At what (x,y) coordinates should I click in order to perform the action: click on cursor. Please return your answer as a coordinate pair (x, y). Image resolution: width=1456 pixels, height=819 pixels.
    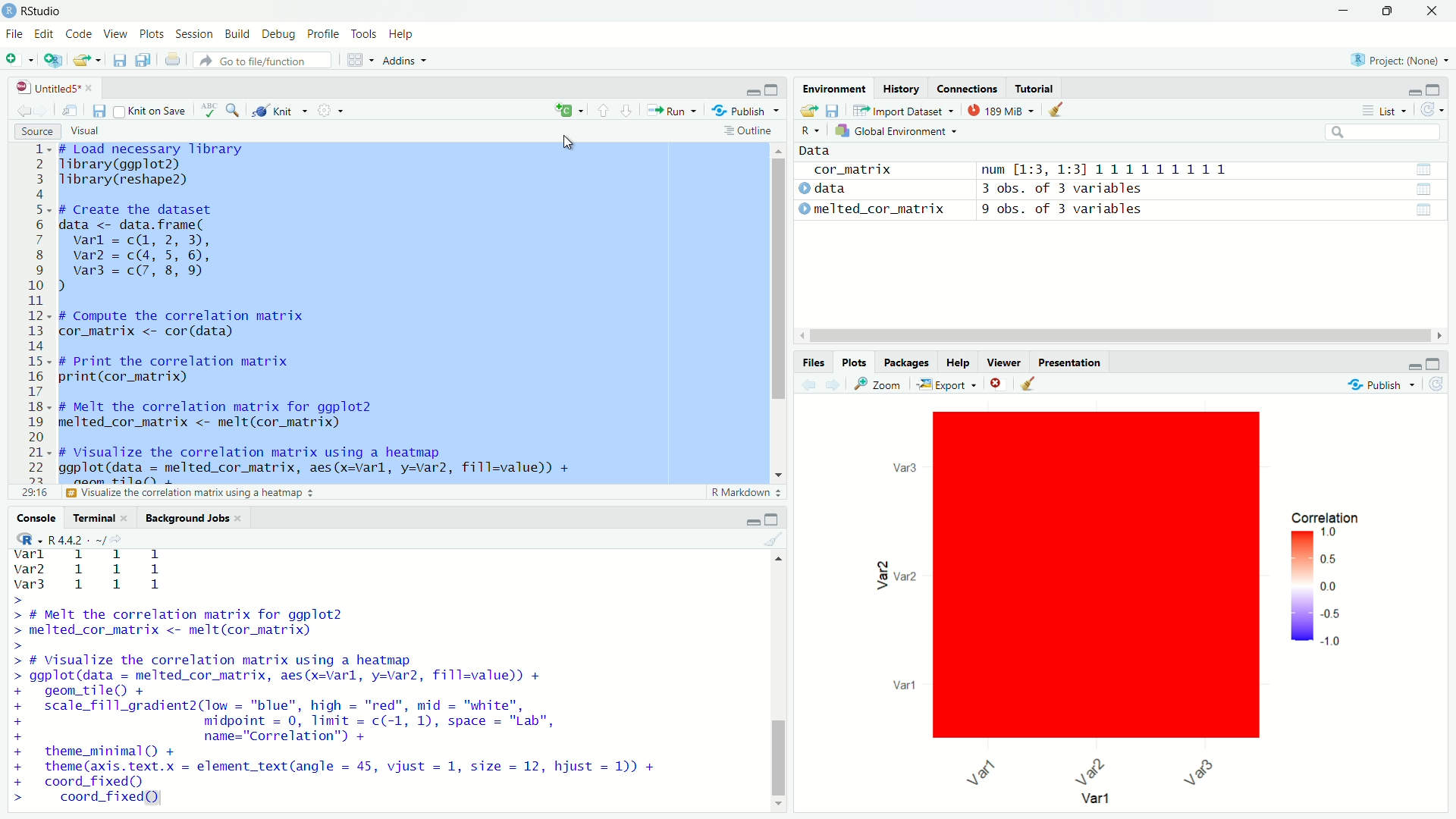
    Looking at the image, I should click on (567, 142).